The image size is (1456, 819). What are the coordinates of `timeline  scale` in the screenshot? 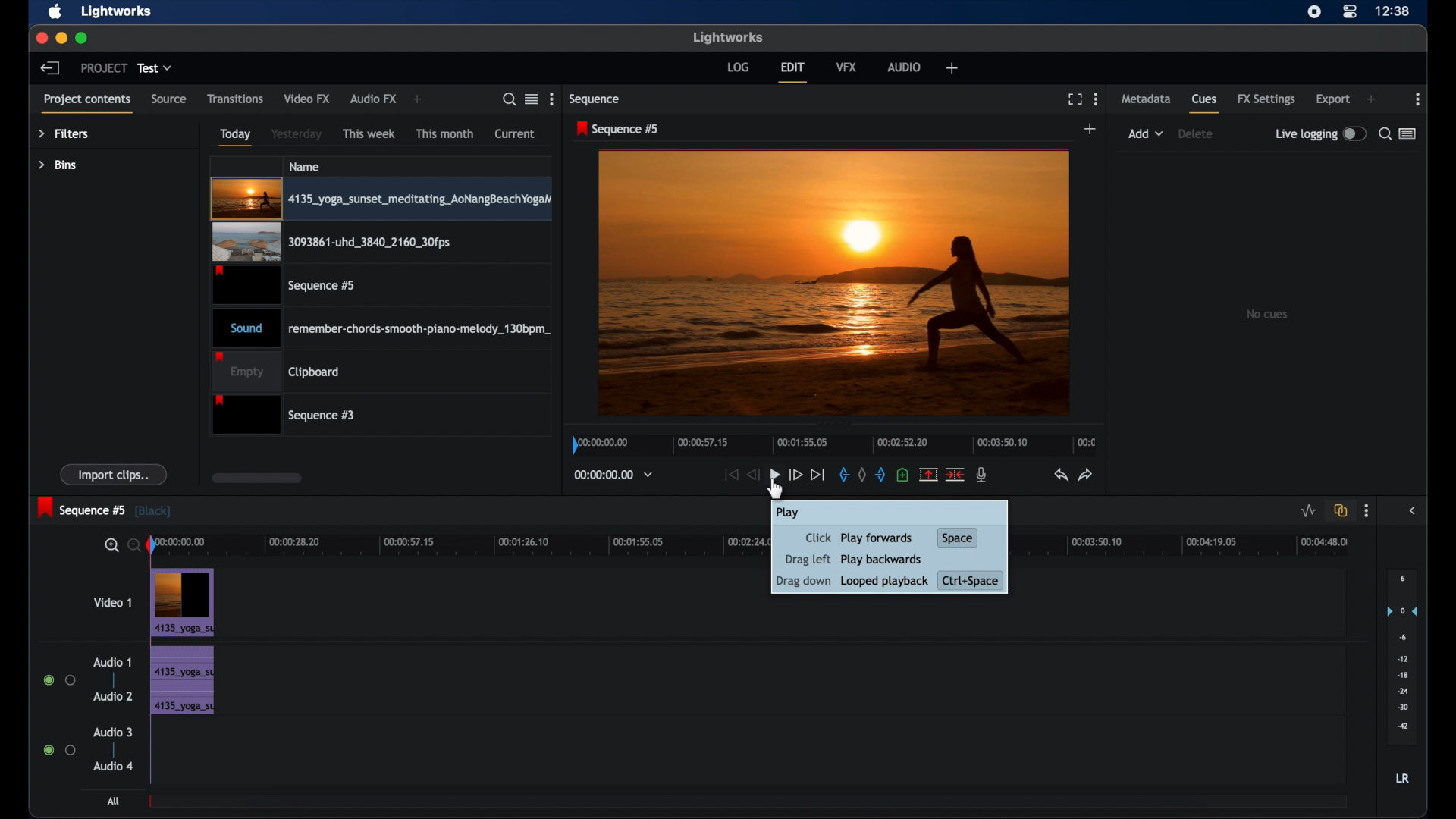 It's located at (833, 443).